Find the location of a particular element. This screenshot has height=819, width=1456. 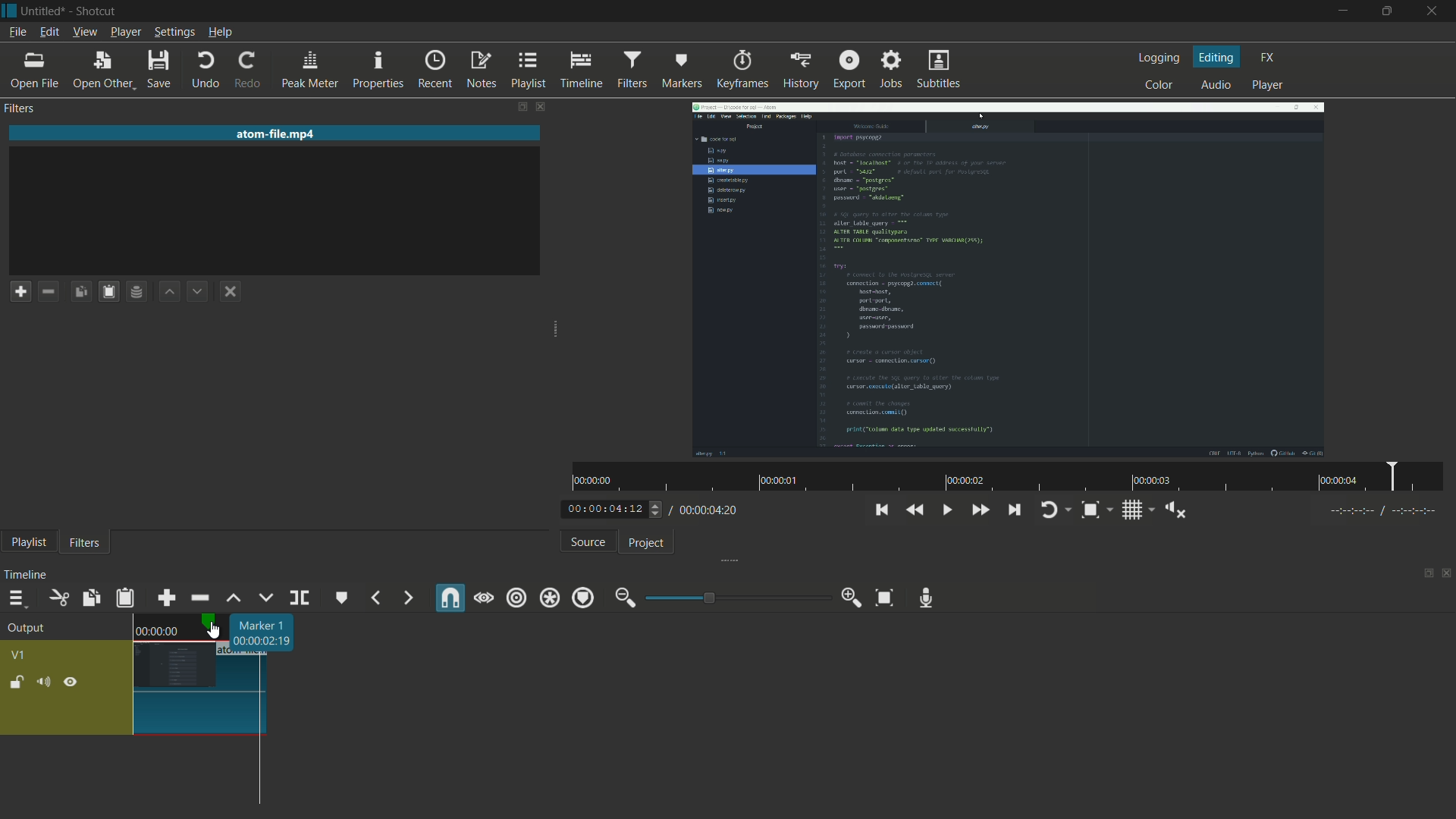

lock is located at coordinates (16, 680).